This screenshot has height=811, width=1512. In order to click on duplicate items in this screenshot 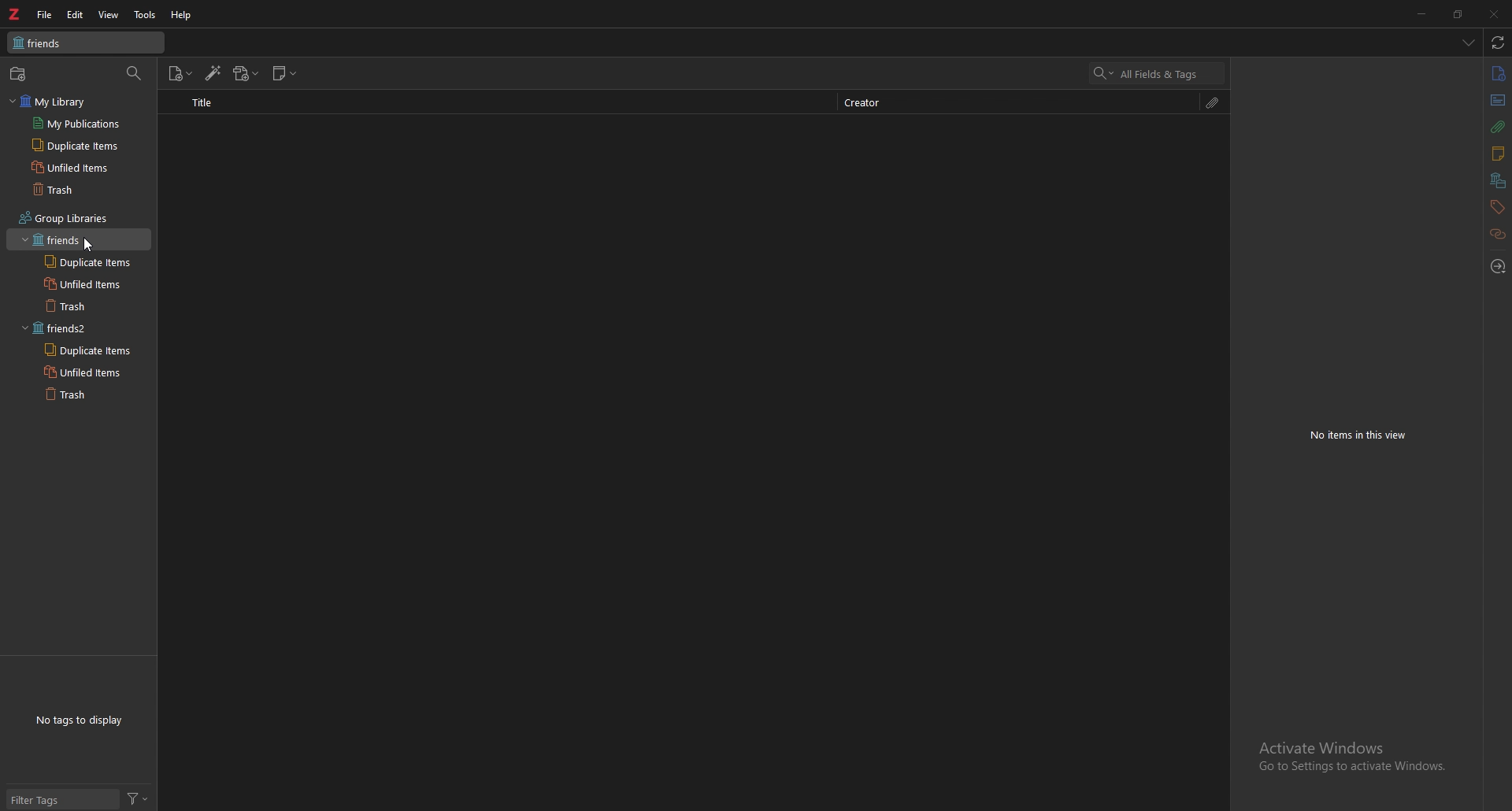, I will do `click(86, 351)`.